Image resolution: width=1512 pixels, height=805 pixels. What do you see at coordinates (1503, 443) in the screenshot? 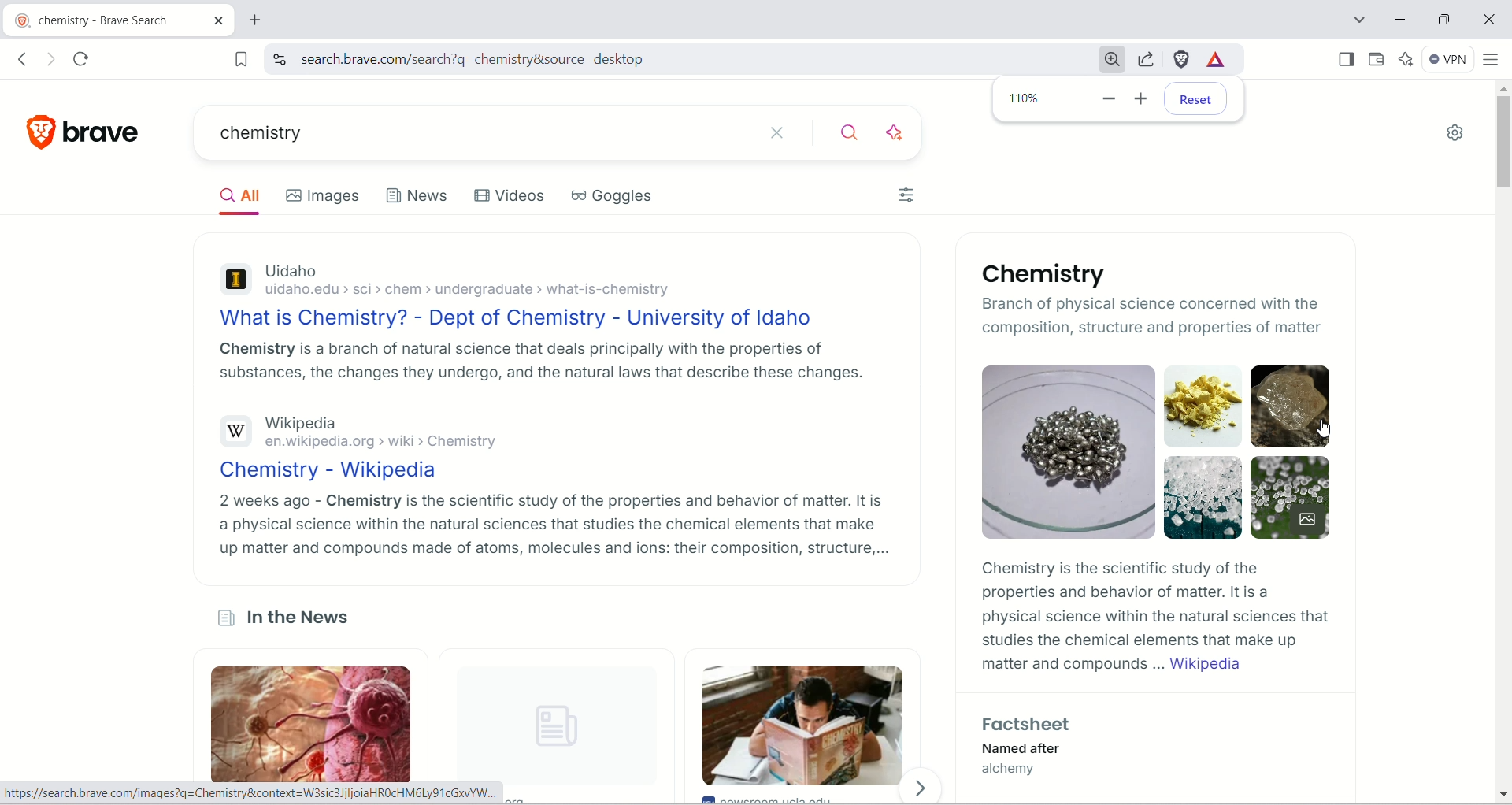
I see `vertical scroll bar` at bounding box center [1503, 443].